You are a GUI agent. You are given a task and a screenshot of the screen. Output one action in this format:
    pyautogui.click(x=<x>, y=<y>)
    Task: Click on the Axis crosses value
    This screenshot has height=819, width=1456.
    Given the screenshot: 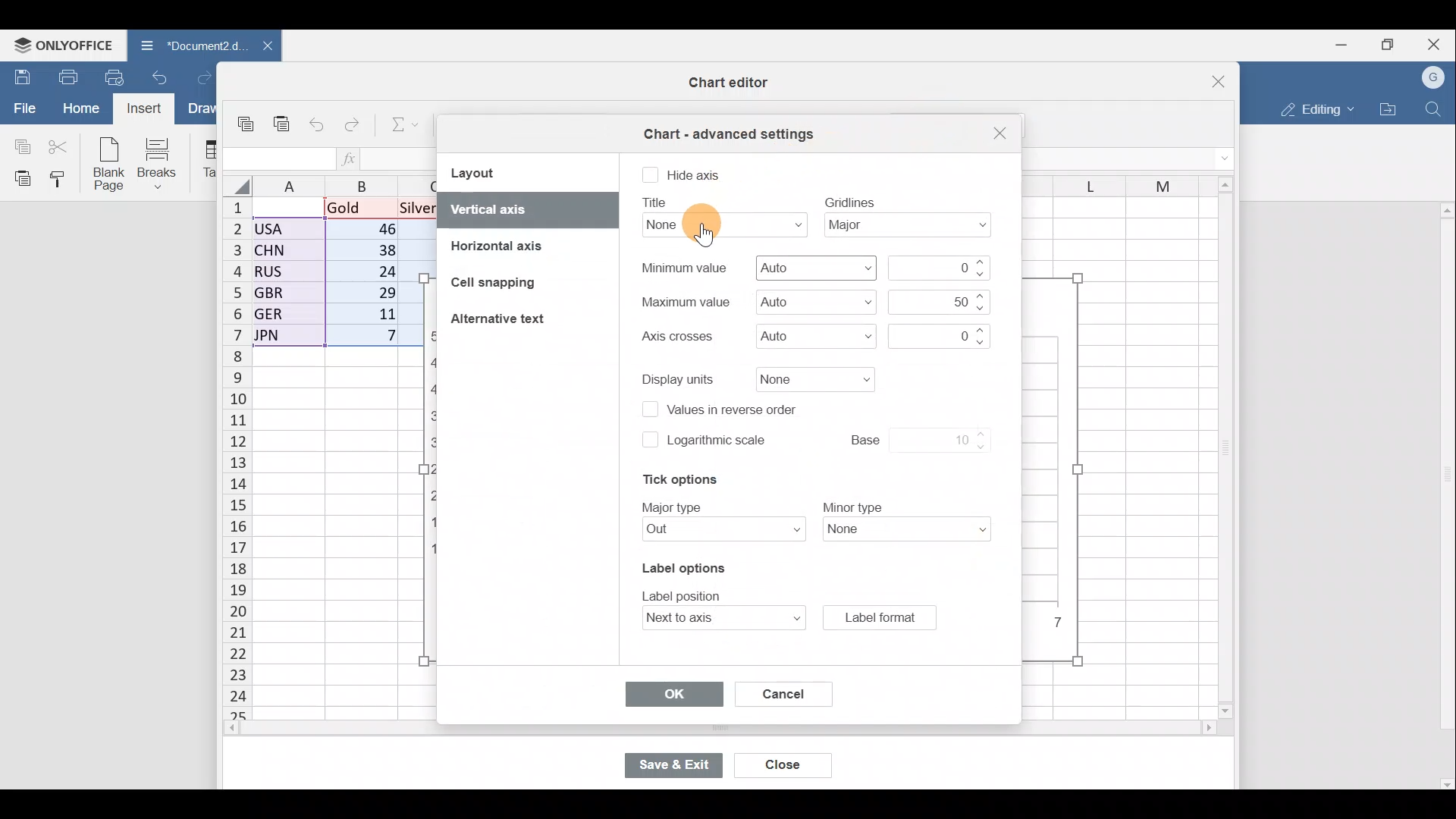 What is the action you would take?
    pyautogui.click(x=945, y=337)
    